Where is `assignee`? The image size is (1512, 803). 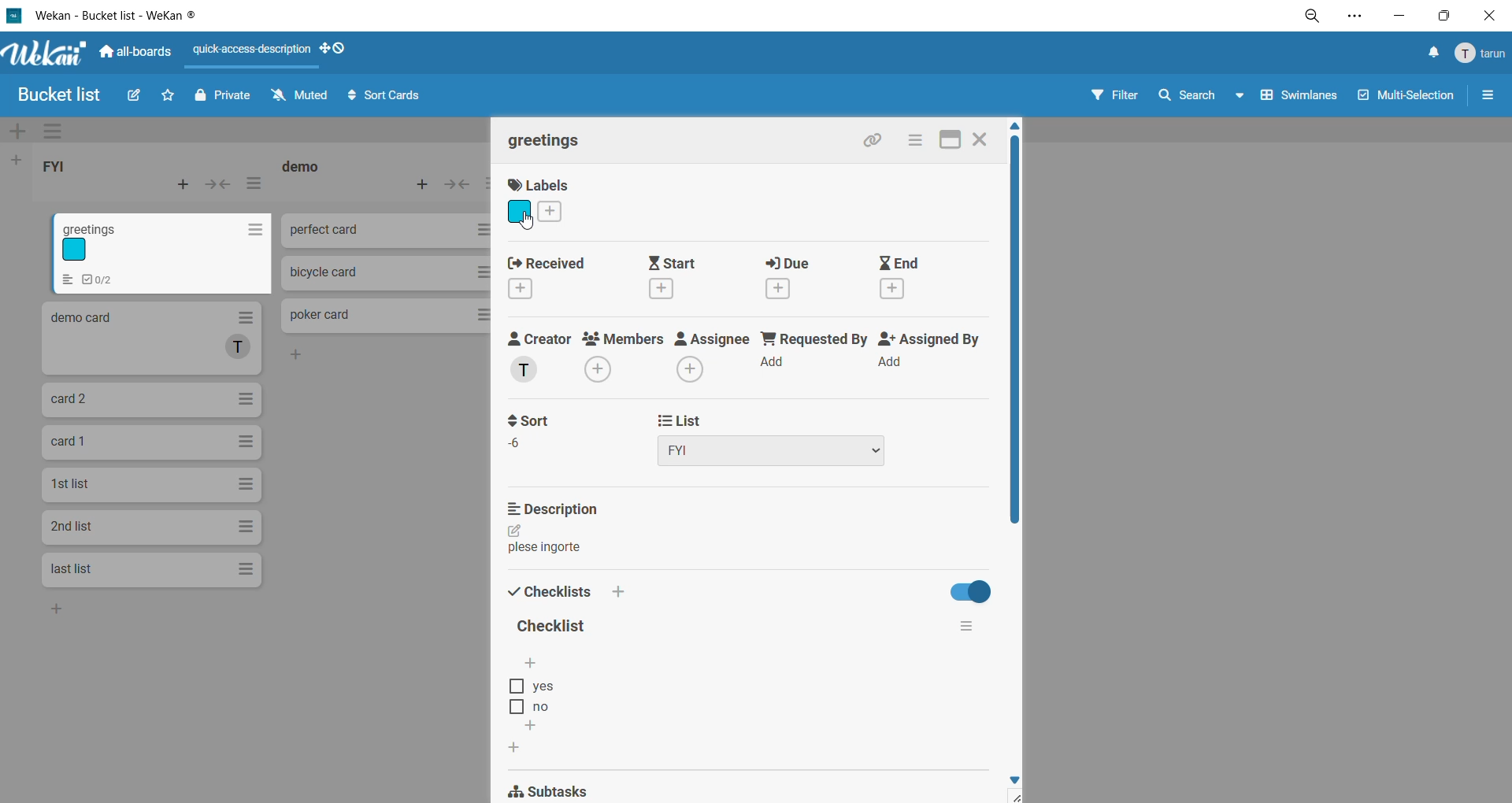 assignee is located at coordinates (709, 357).